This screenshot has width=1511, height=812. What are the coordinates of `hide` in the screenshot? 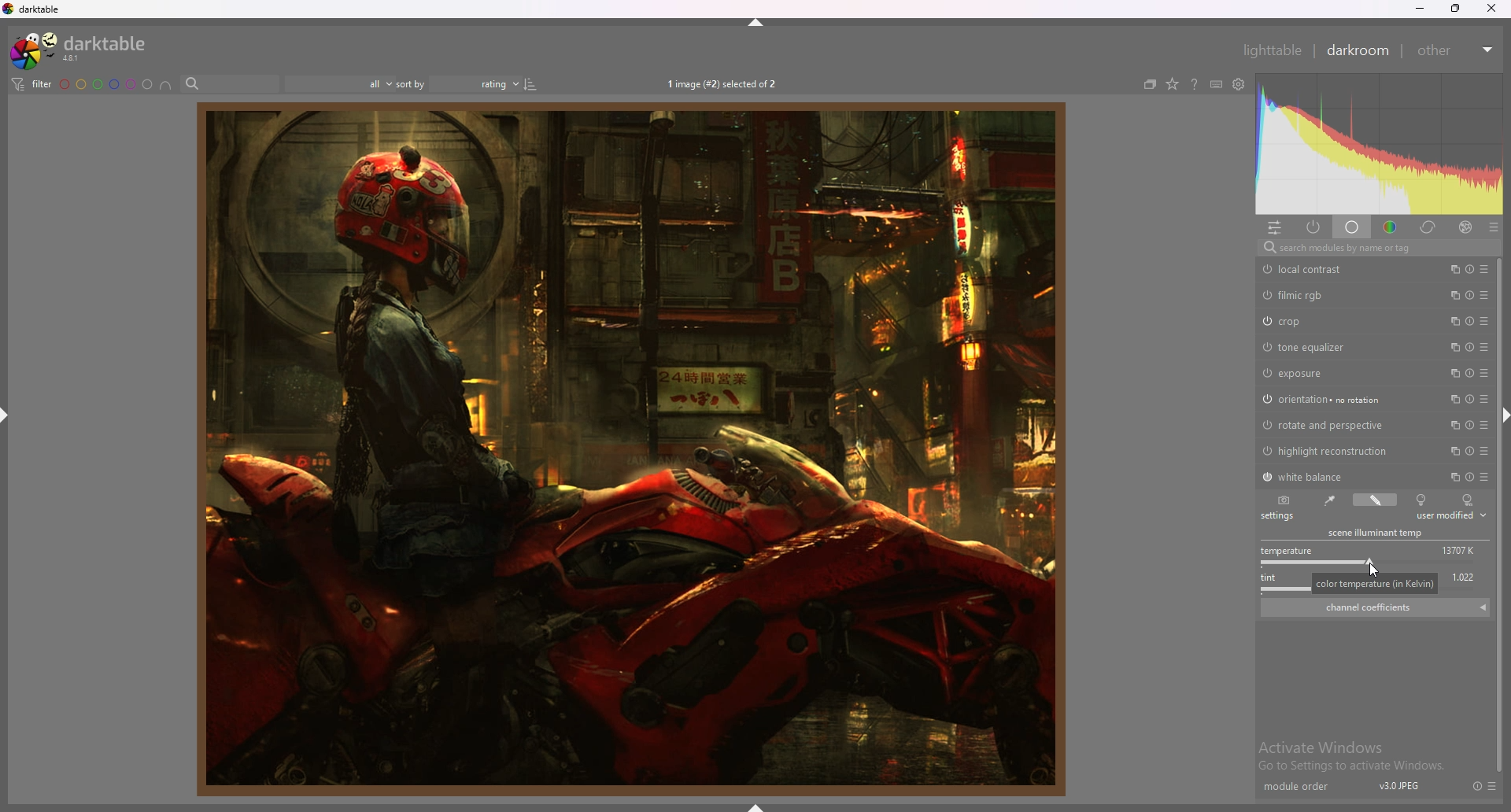 It's located at (6, 418).